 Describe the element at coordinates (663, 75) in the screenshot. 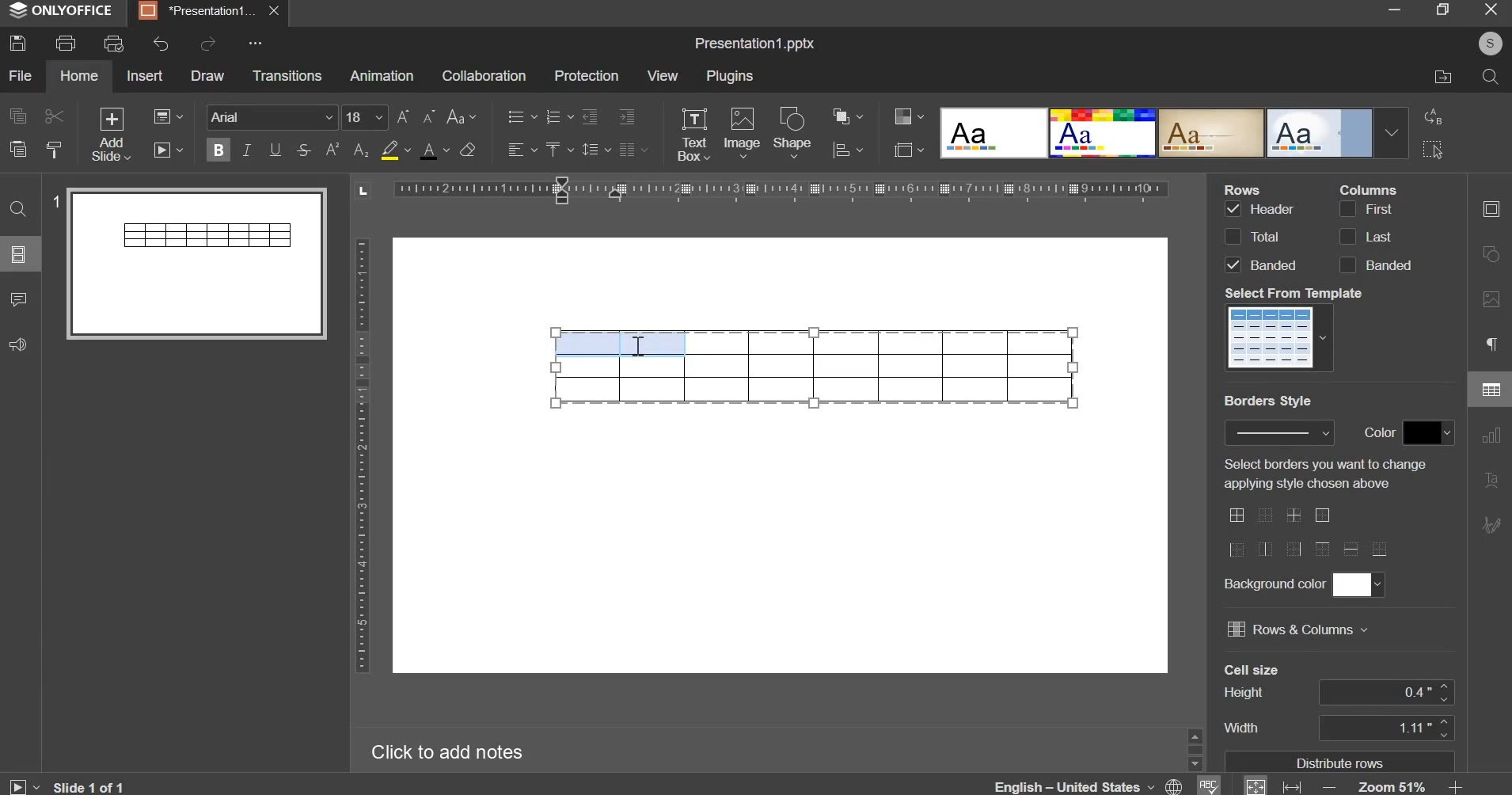

I see `view` at that location.